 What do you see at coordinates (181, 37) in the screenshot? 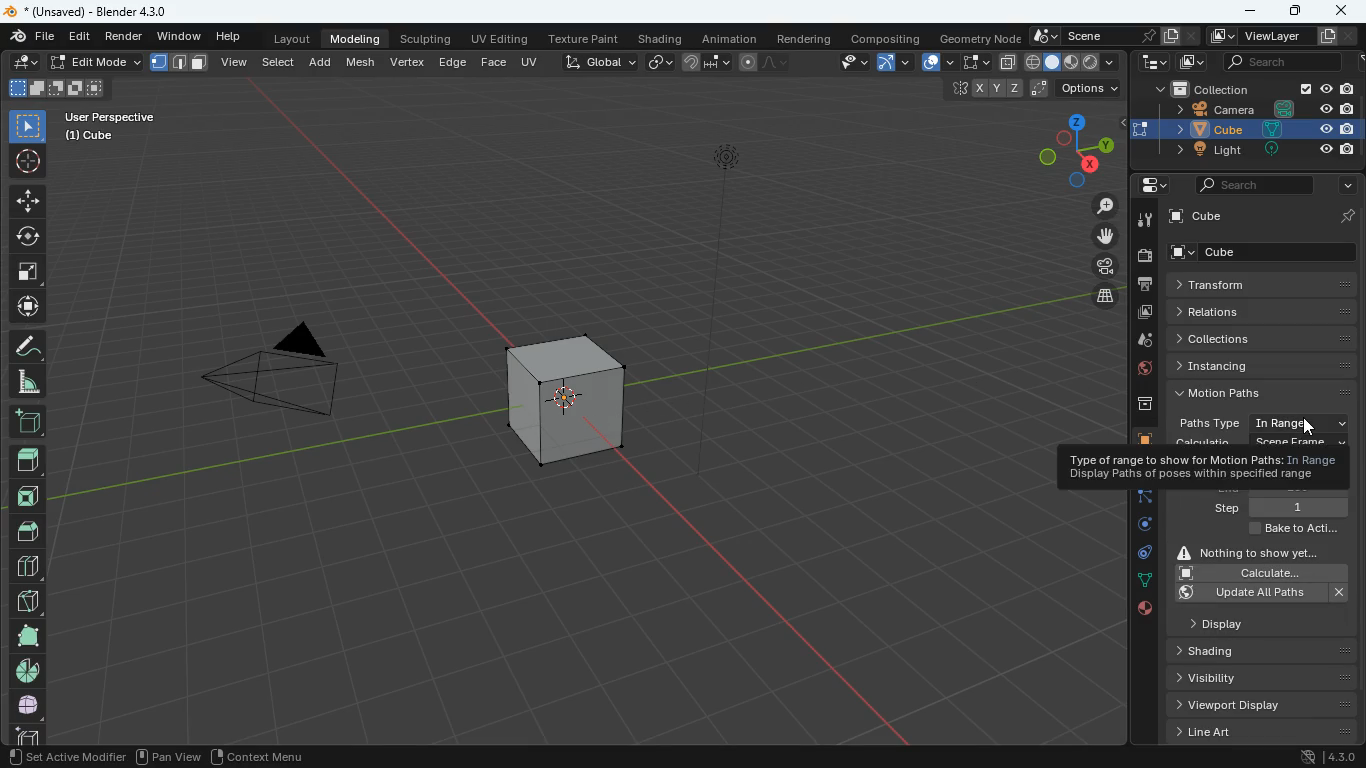
I see `window` at bounding box center [181, 37].